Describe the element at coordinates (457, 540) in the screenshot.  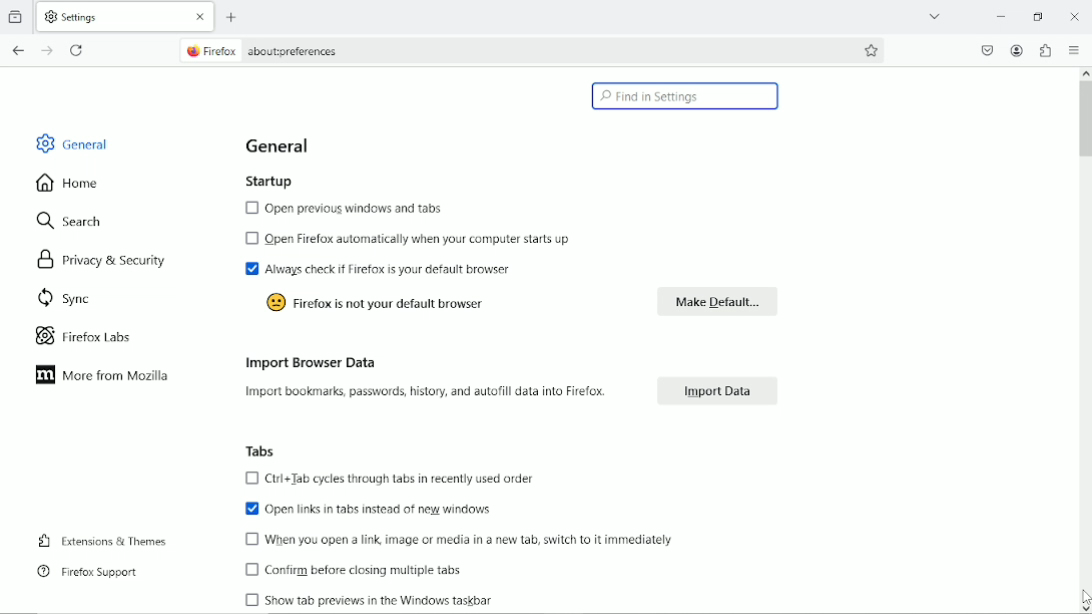
I see `When you open a link, image or media in a new tab, switch to it immediately` at that location.